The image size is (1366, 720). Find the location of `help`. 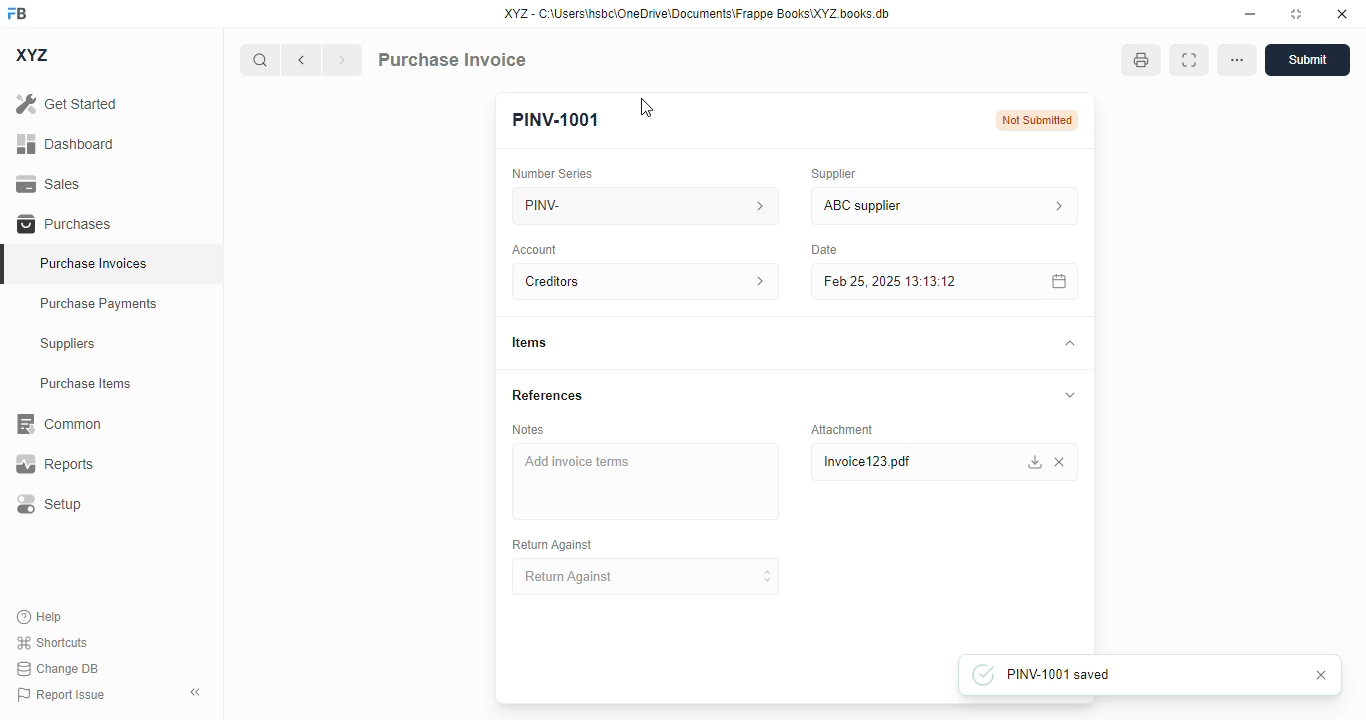

help is located at coordinates (40, 617).